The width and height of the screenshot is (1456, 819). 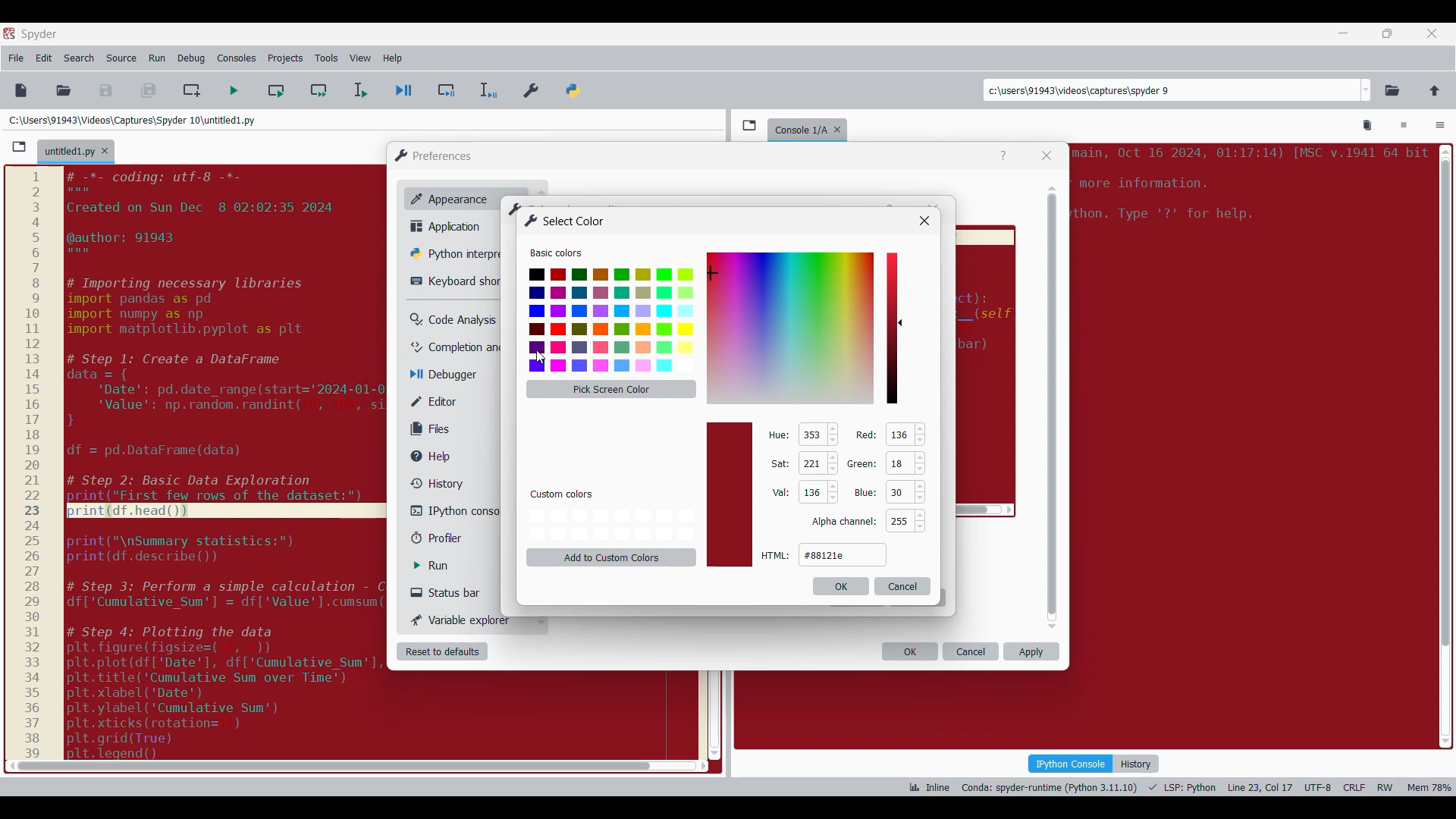 I want to click on Help menu, so click(x=392, y=58).